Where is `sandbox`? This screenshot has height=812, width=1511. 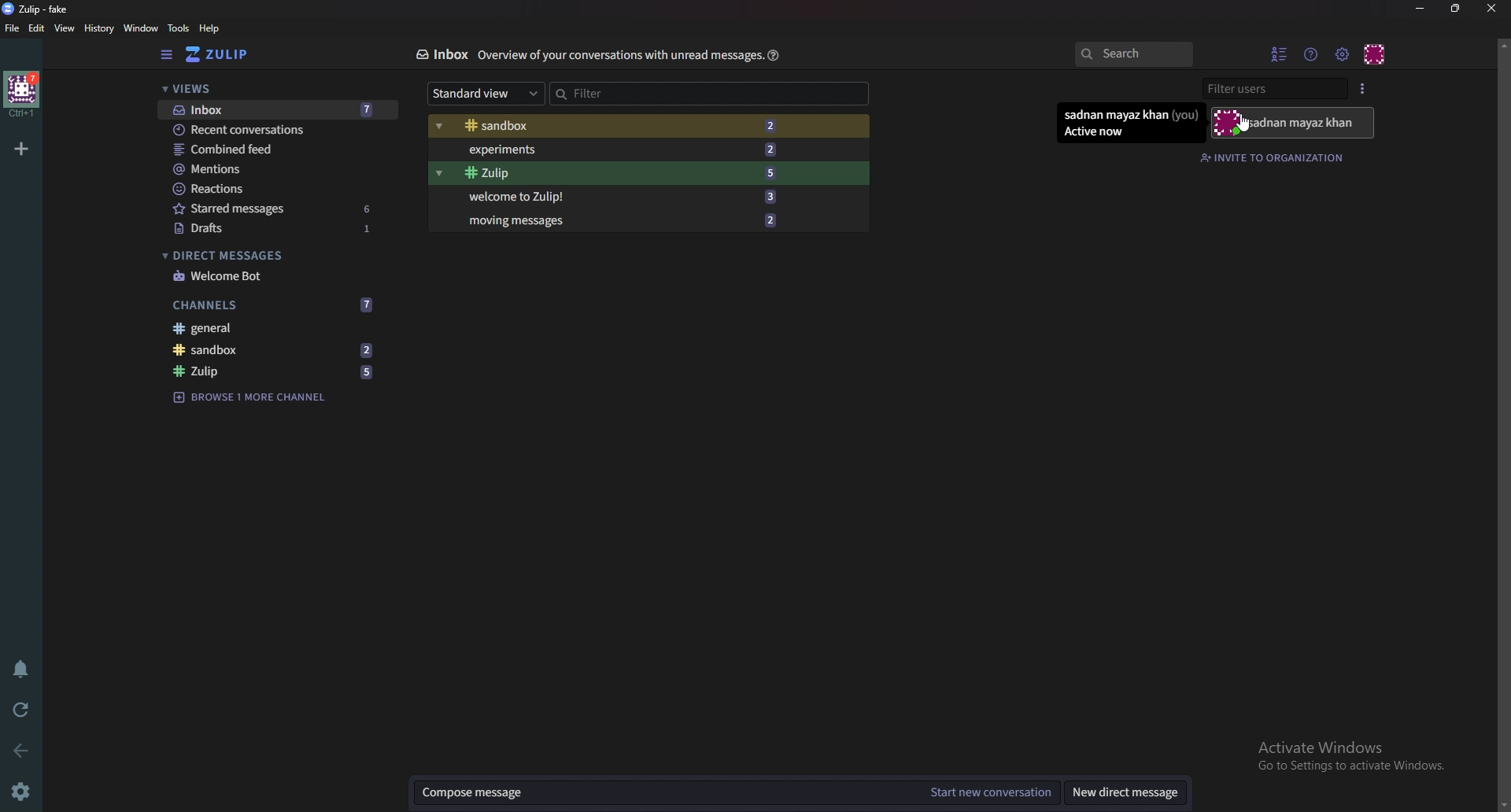 sandbox is located at coordinates (611, 126).